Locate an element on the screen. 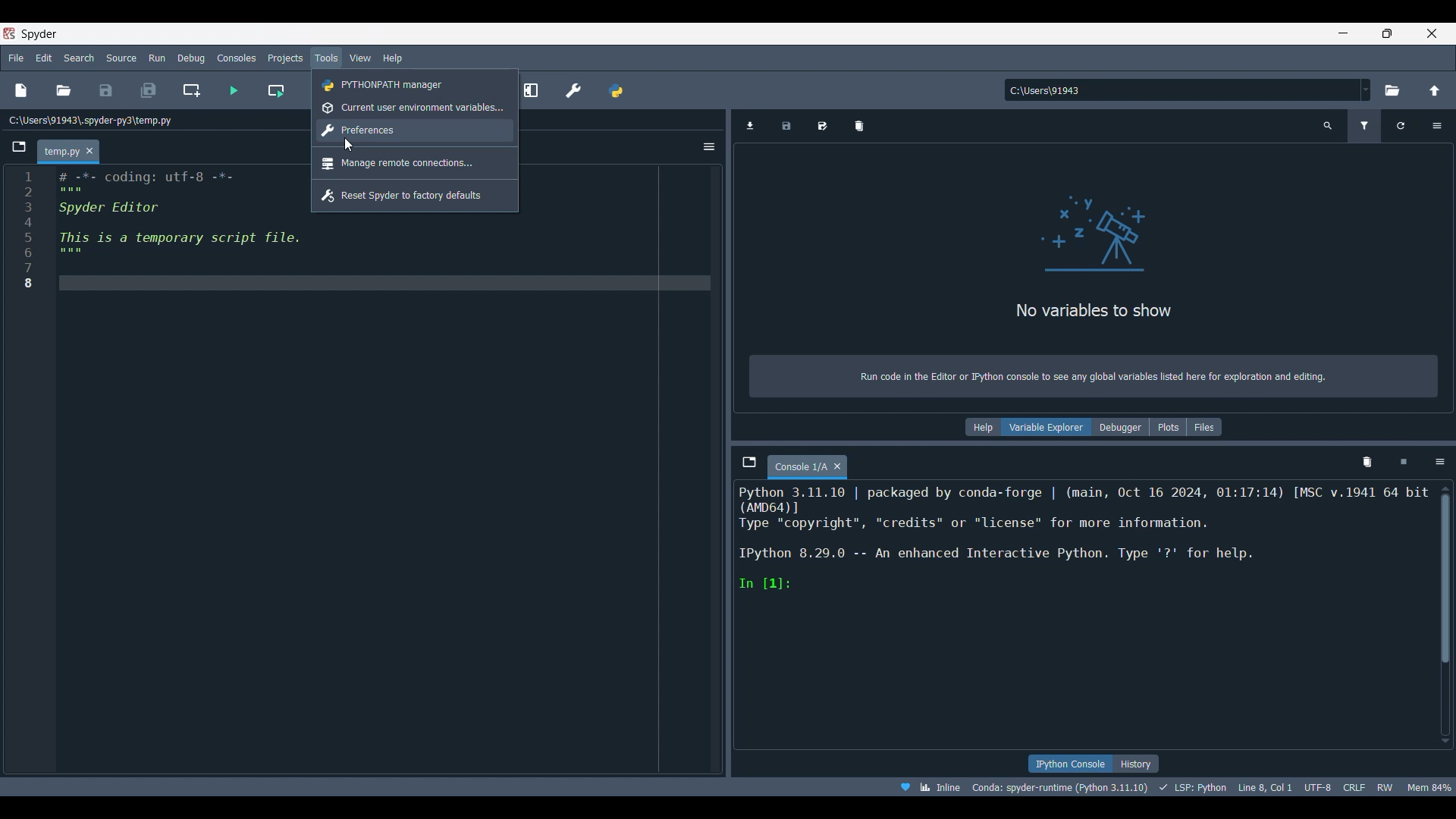 This screenshot has width=1456, height=819. Run current cell is located at coordinates (275, 90).